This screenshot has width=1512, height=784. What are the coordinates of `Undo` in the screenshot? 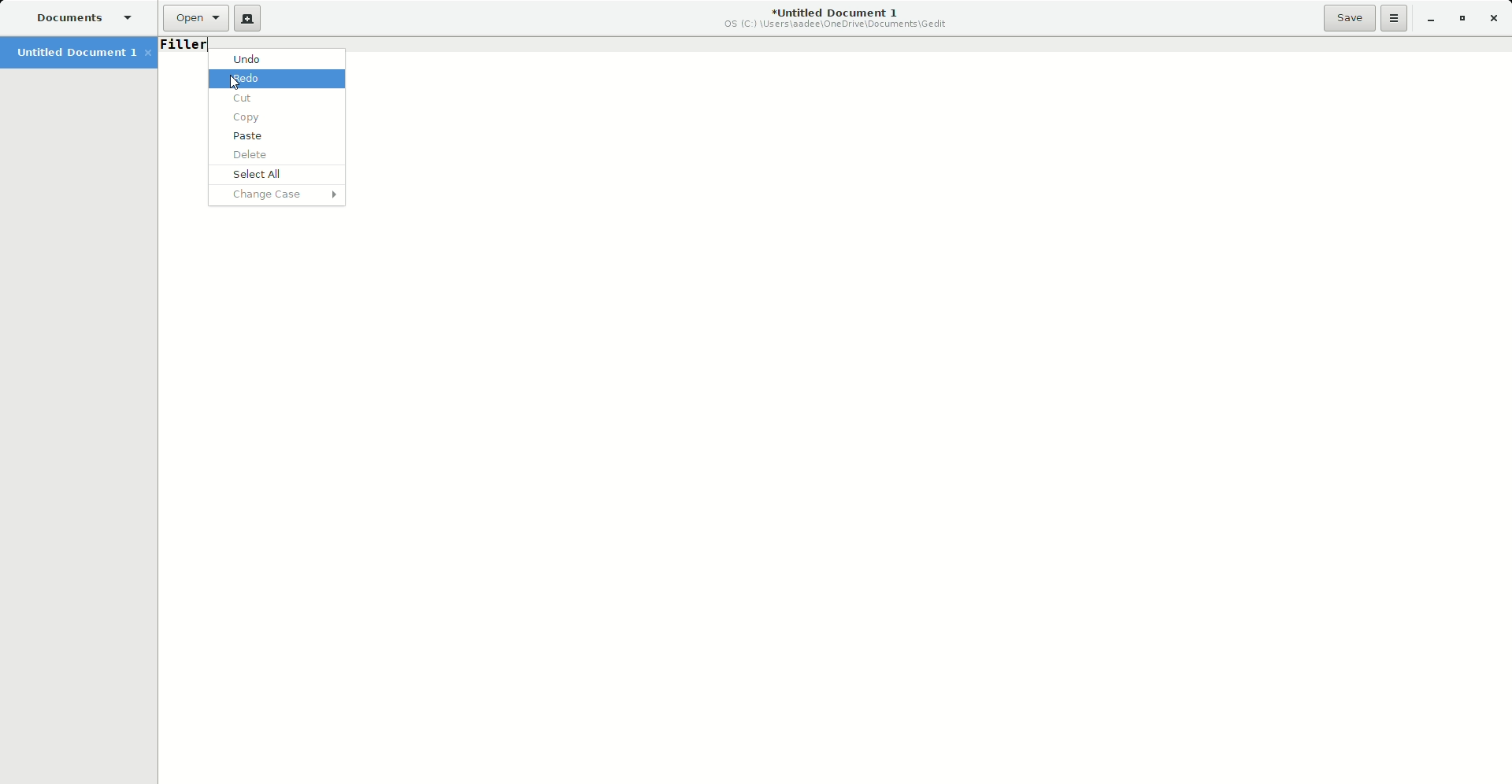 It's located at (277, 59).